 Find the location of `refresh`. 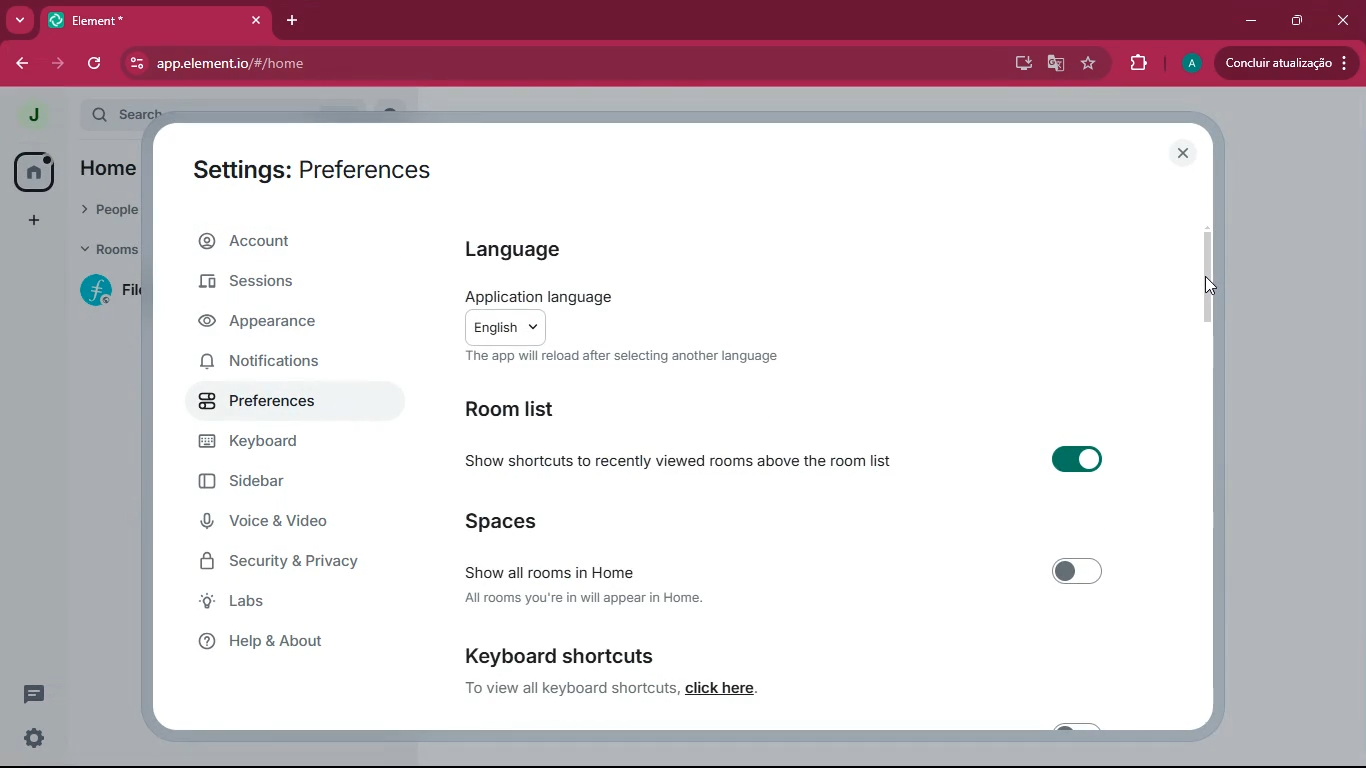

refresh is located at coordinates (97, 62).